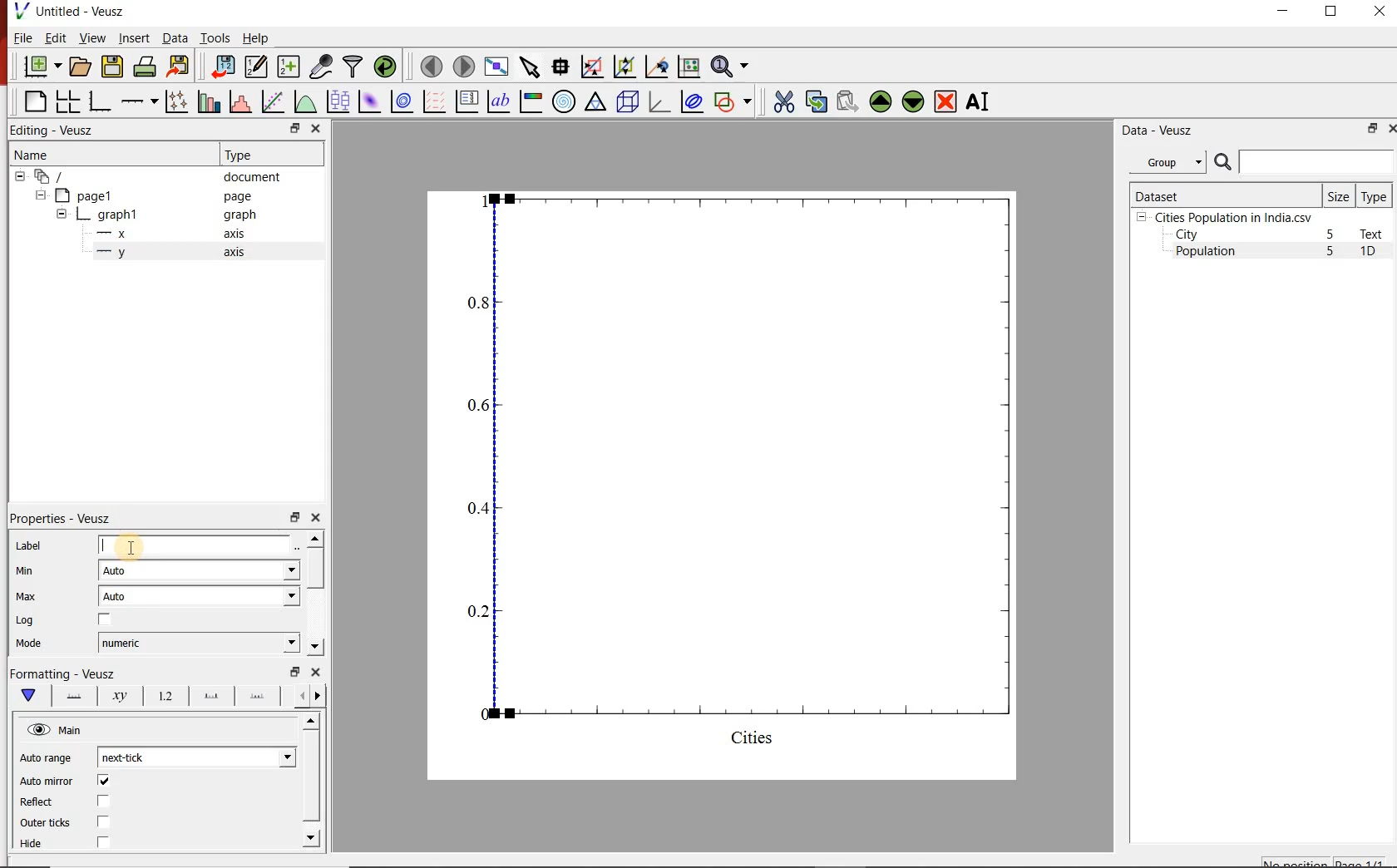 This screenshot has height=868, width=1397. I want to click on plot a 2d dataset as an image, so click(368, 100).